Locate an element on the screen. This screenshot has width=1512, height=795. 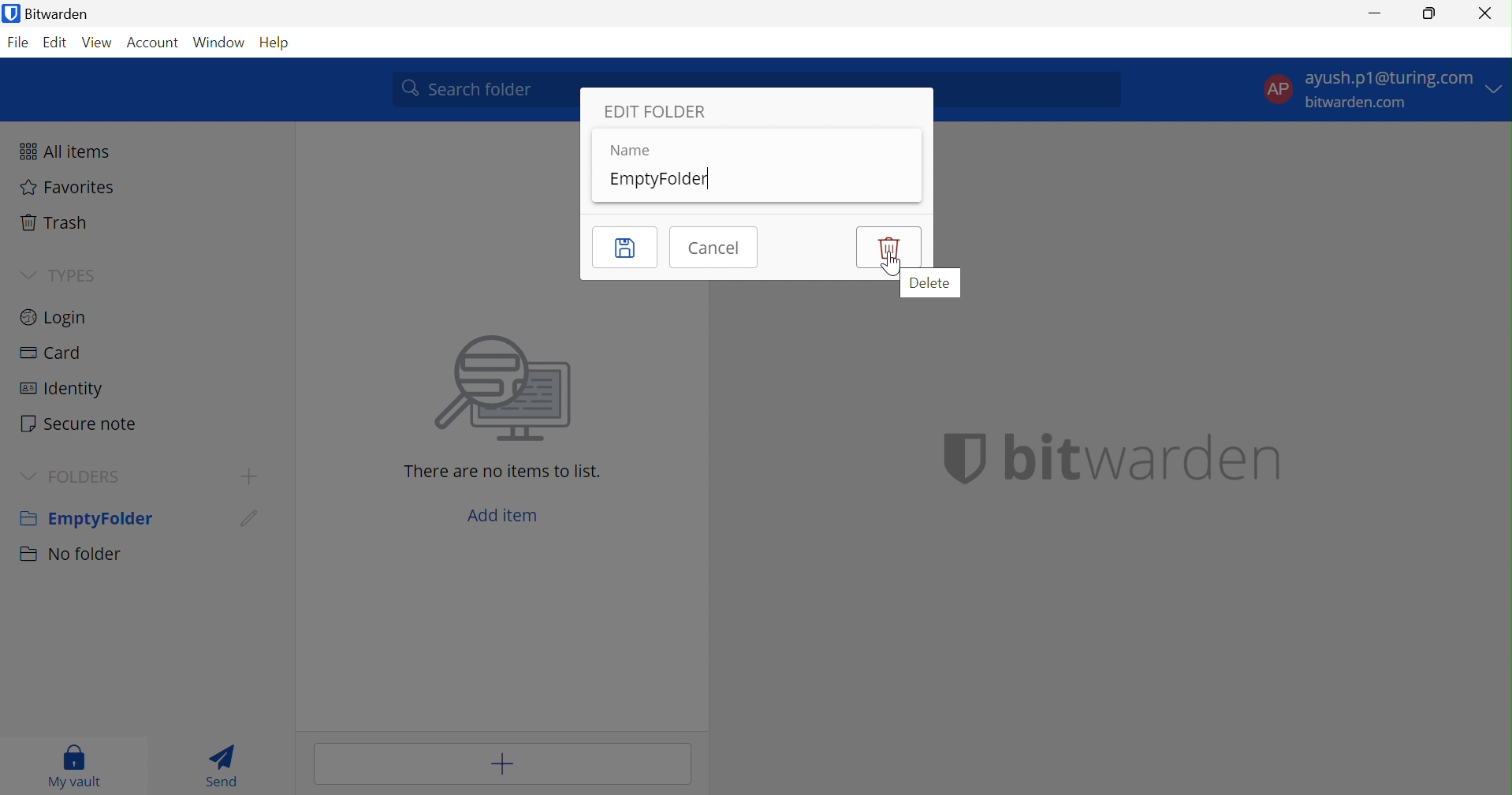
All items is located at coordinates (69, 151).